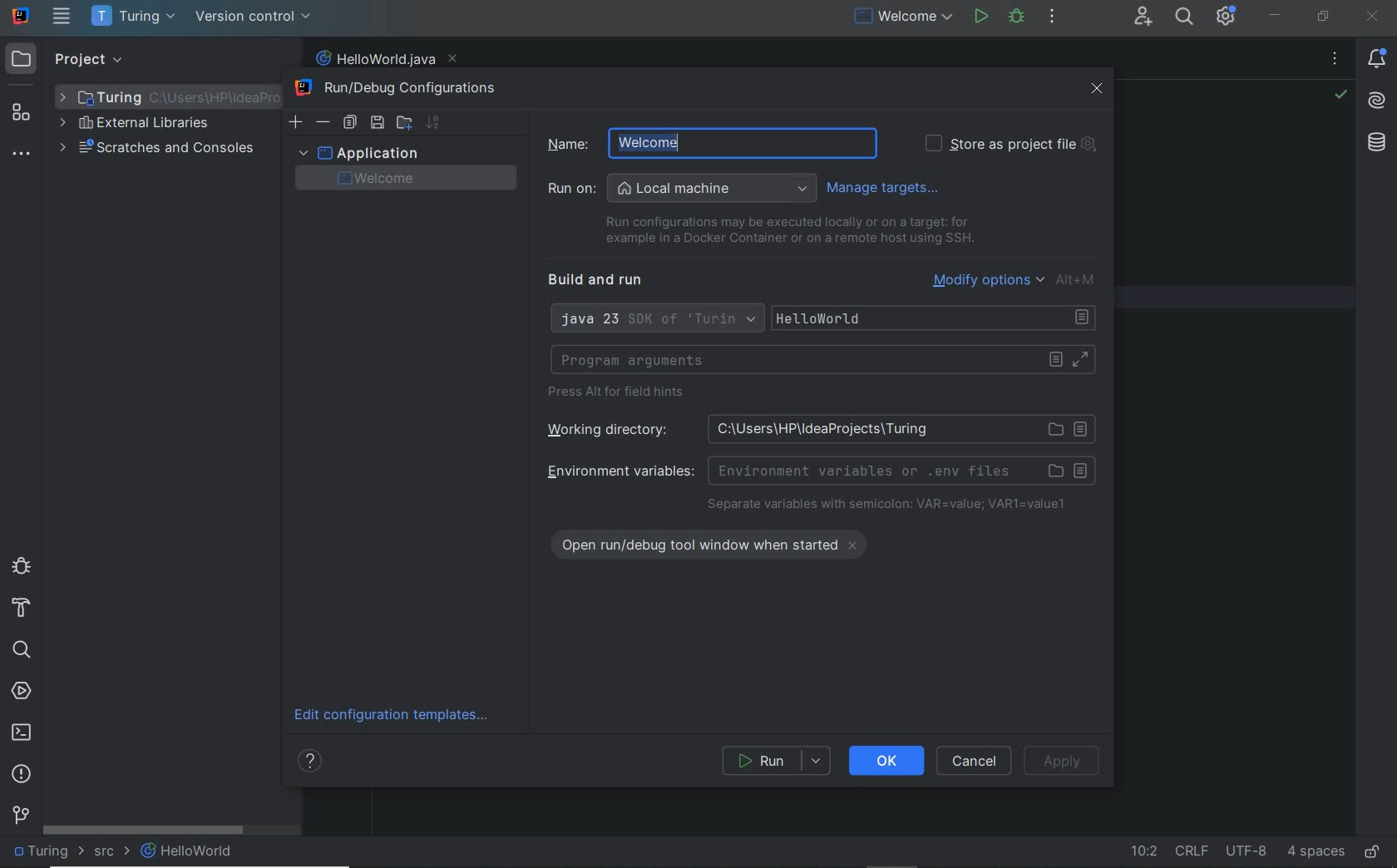  Describe the element at coordinates (887, 506) in the screenshot. I see `separate variables` at that location.